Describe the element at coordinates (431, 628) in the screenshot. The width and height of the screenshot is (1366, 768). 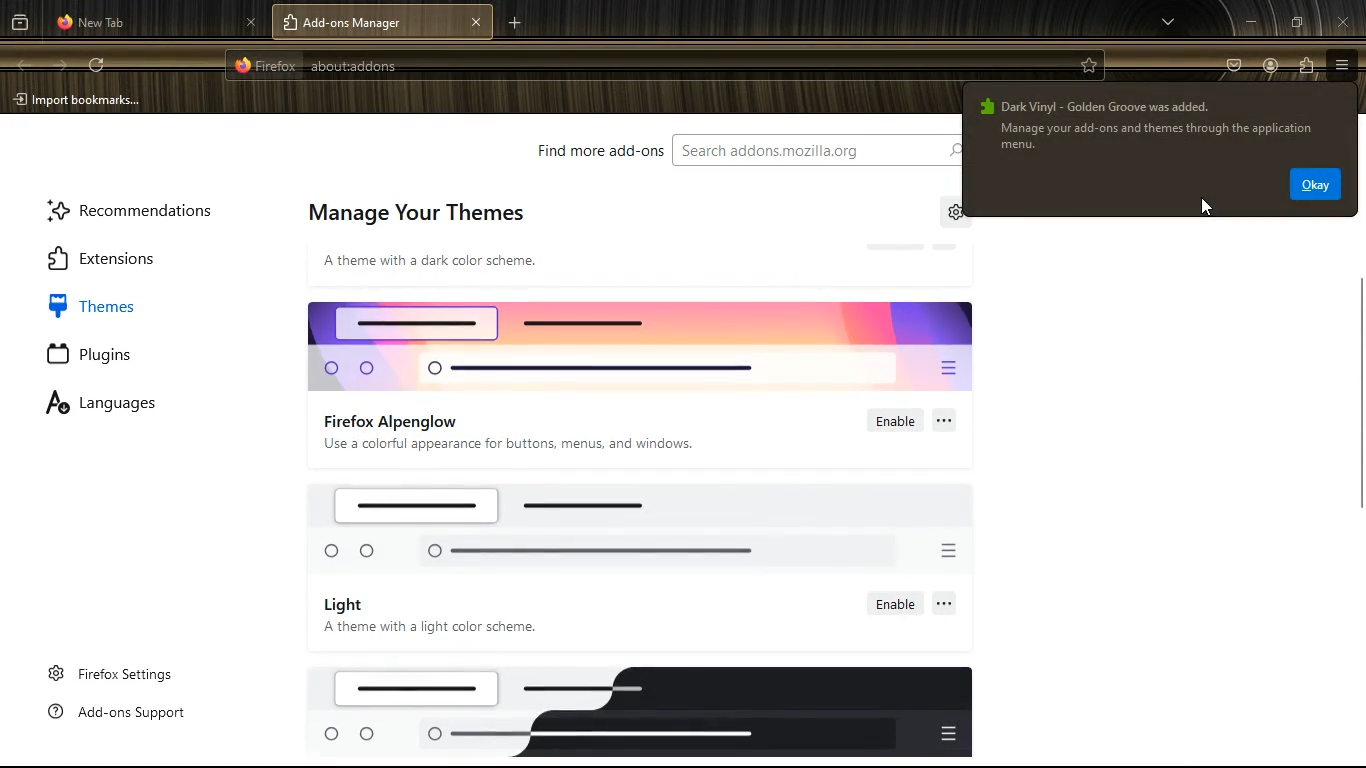
I see `A theme with a light color scheme.` at that location.